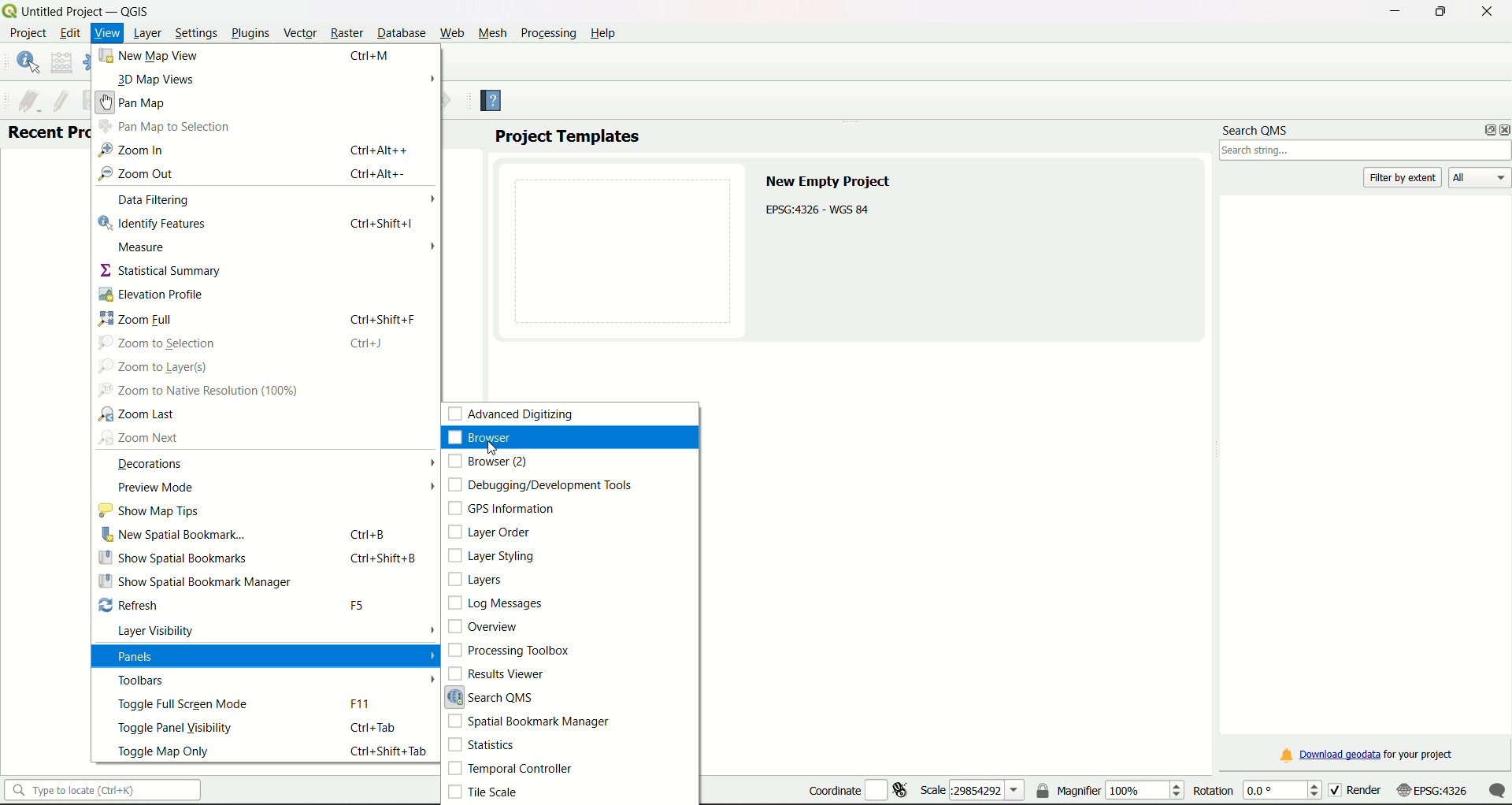 This screenshot has width=1512, height=805. What do you see at coordinates (495, 603) in the screenshot?
I see `Log Messages` at bounding box center [495, 603].